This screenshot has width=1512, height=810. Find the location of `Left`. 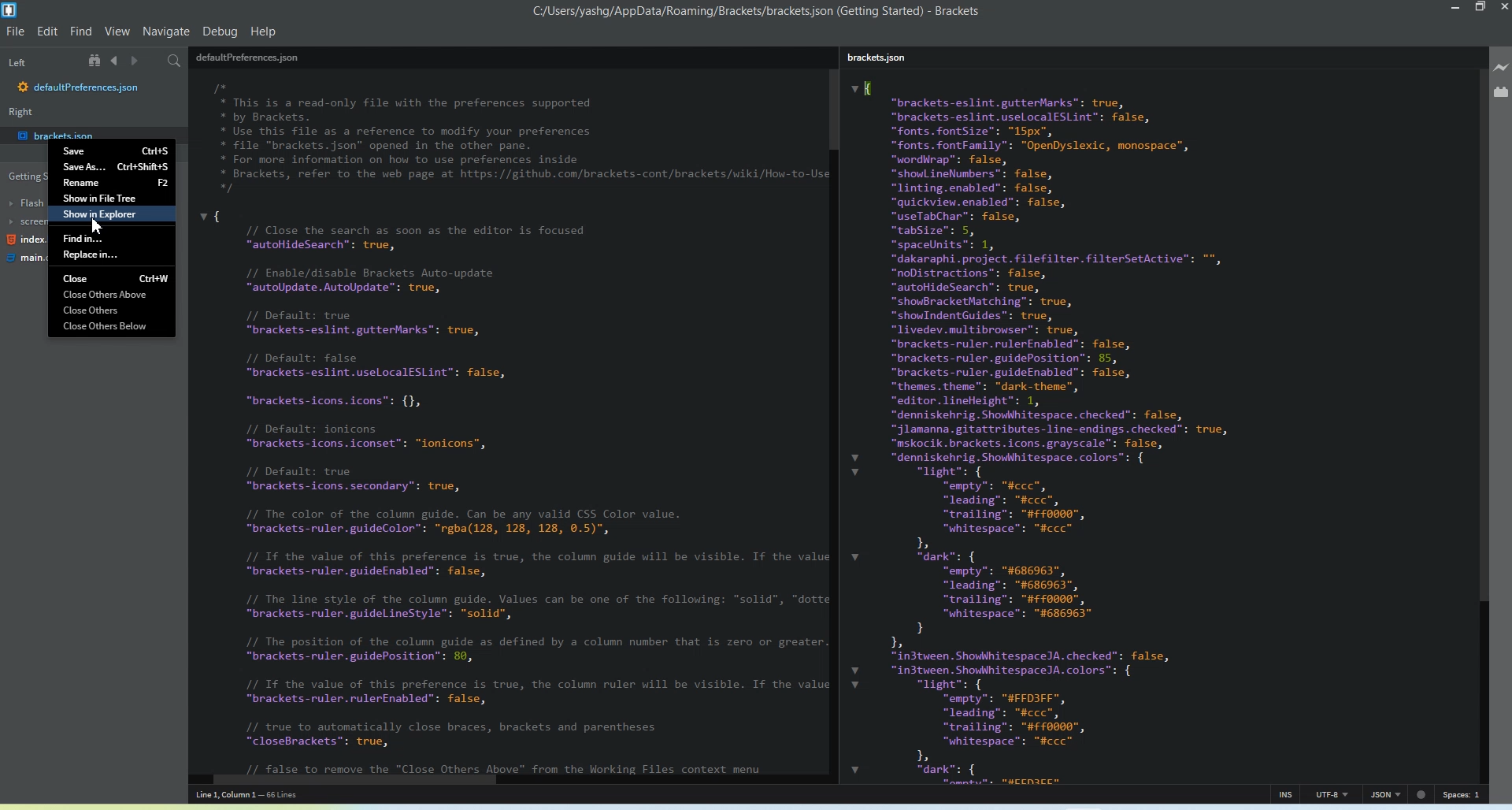

Left is located at coordinates (17, 62).